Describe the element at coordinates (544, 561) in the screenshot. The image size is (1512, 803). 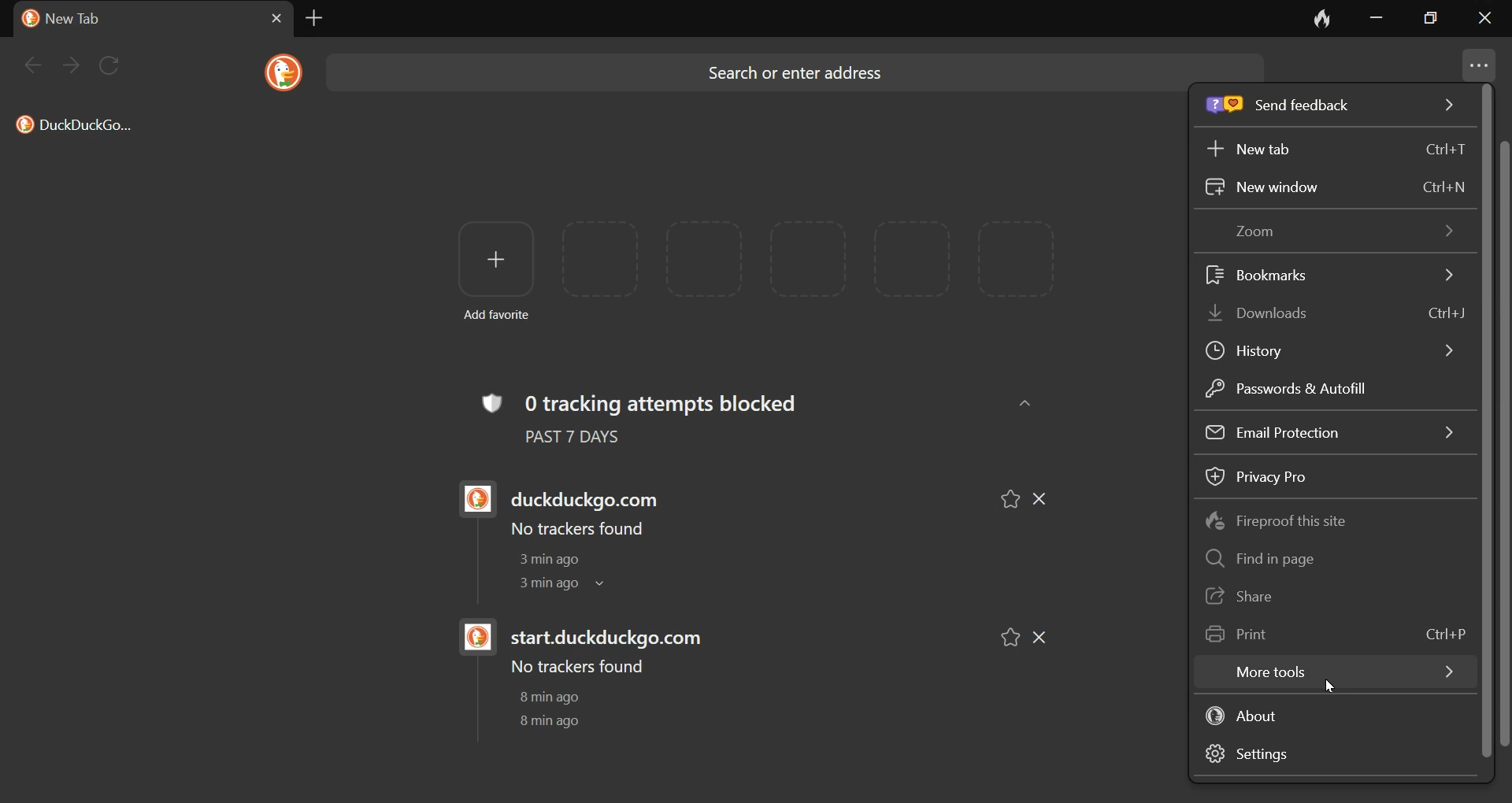
I see `3 min ago` at that location.